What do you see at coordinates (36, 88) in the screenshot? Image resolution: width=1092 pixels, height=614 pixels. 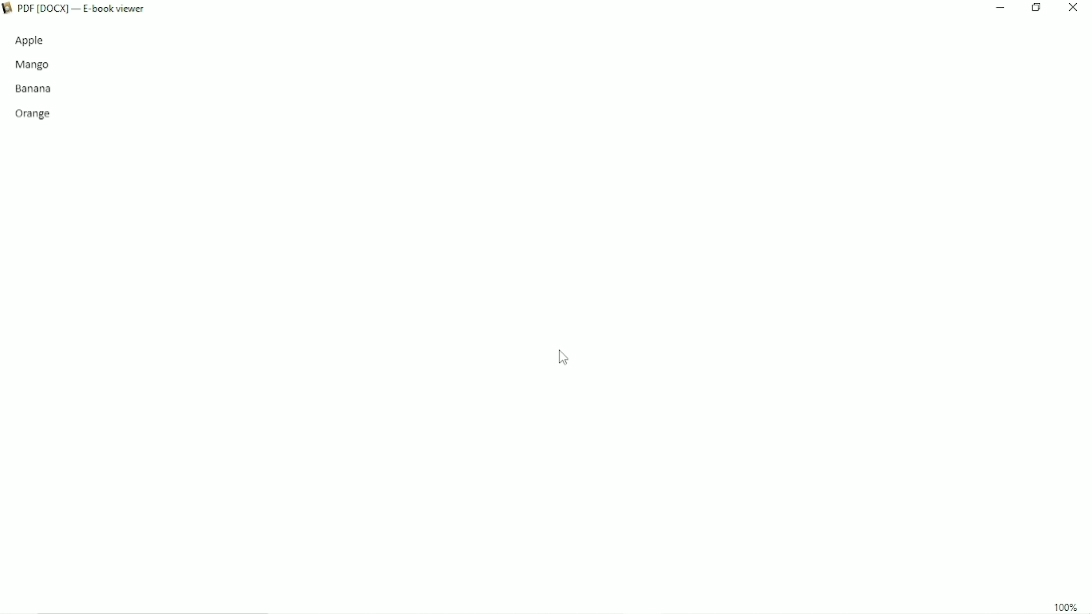 I see `Banana` at bounding box center [36, 88].